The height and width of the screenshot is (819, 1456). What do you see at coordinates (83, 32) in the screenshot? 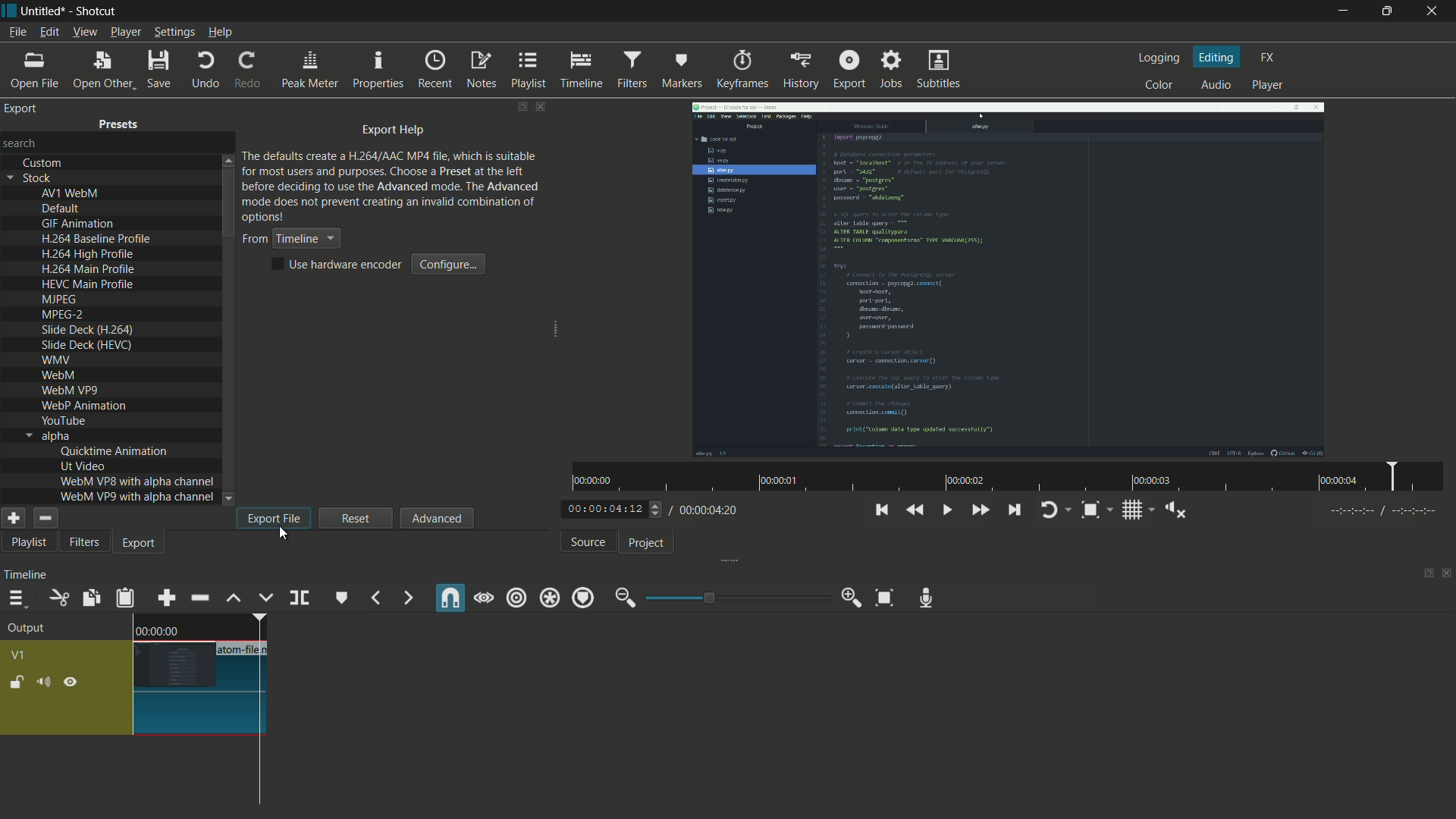
I see `view menu` at bounding box center [83, 32].